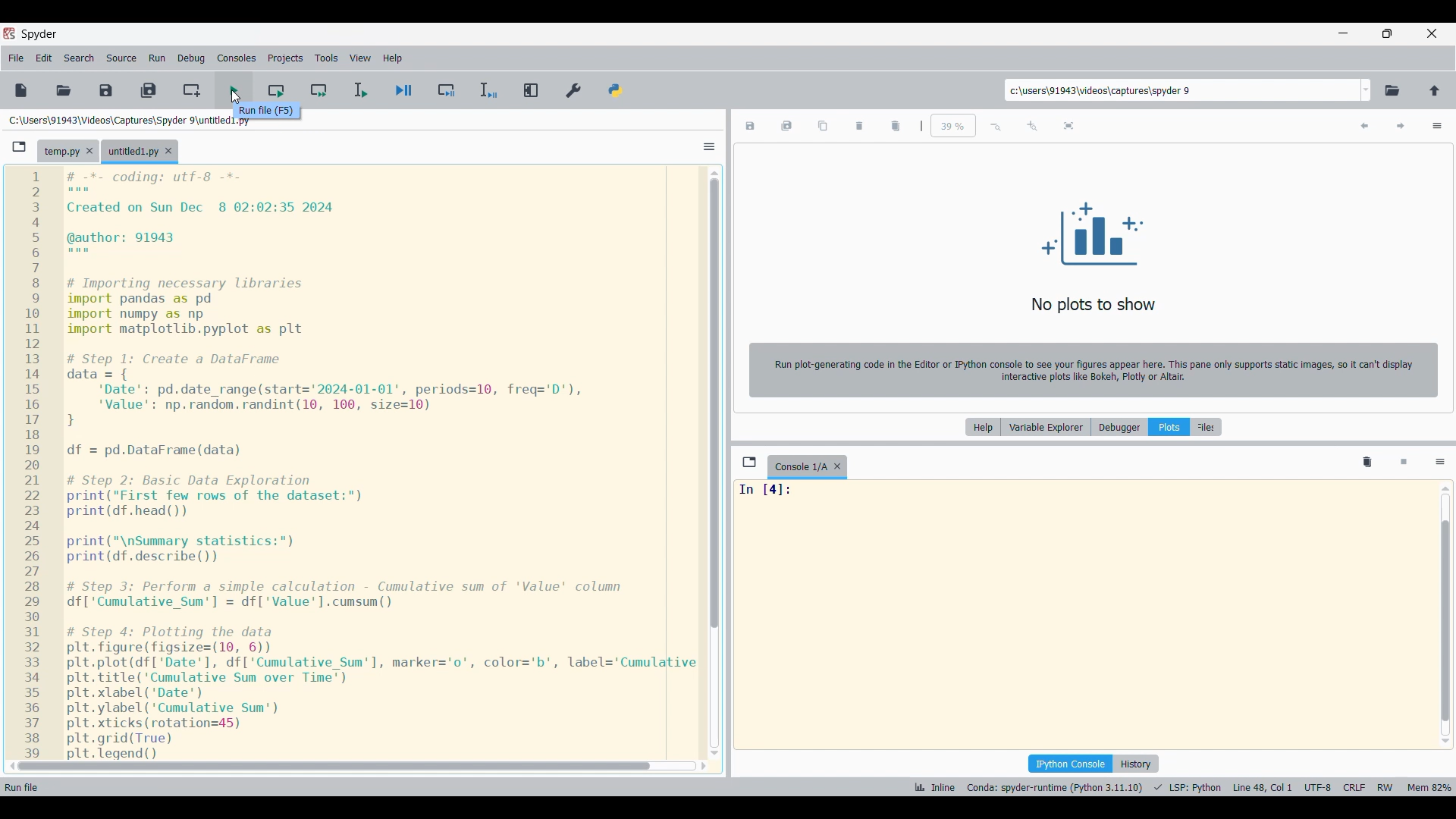 The height and width of the screenshot is (819, 1456). I want to click on Software logo, so click(9, 33).